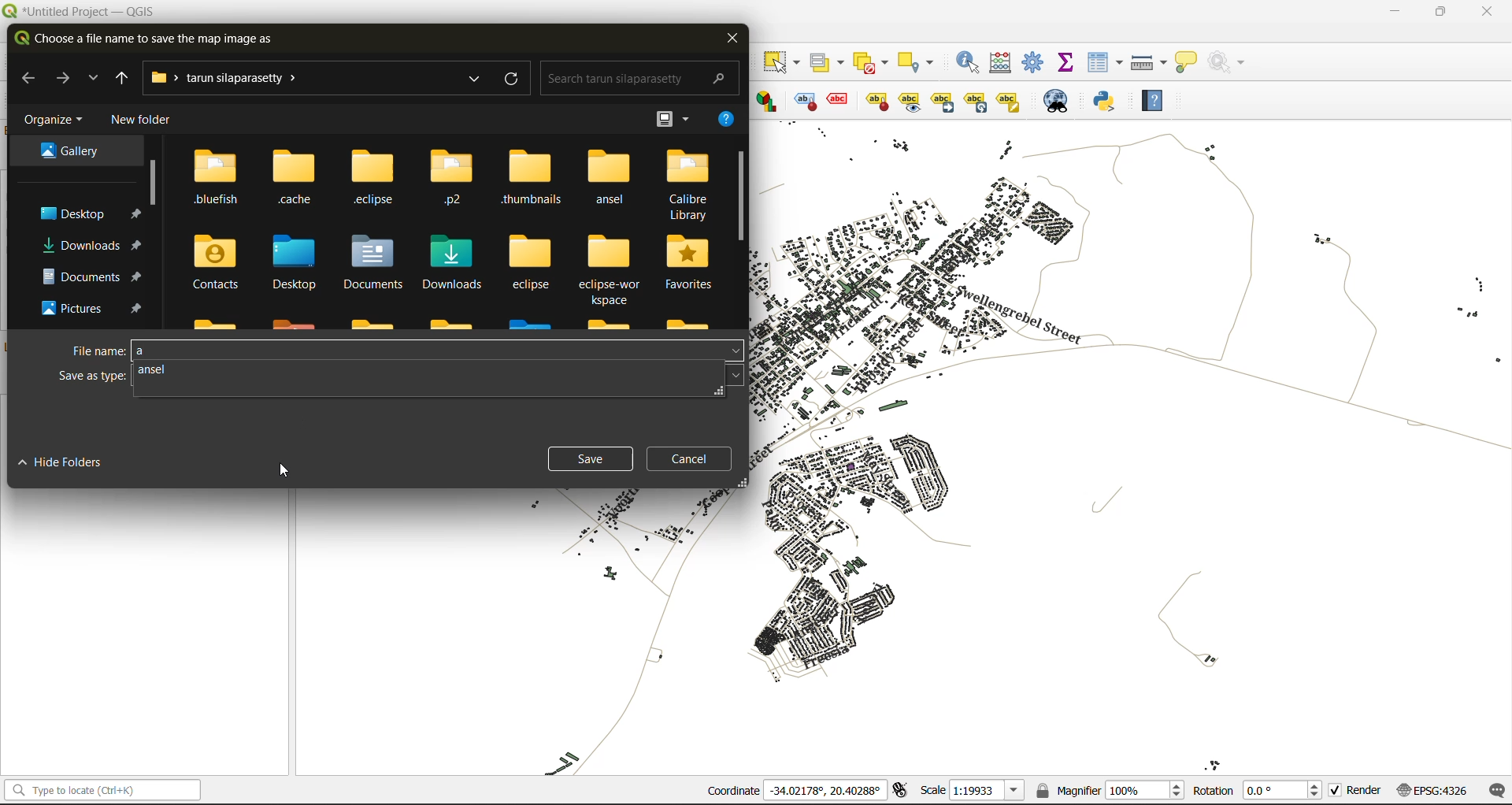 The height and width of the screenshot is (805, 1512). What do you see at coordinates (513, 81) in the screenshot?
I see `refresh` at bounding box center [513, 81].